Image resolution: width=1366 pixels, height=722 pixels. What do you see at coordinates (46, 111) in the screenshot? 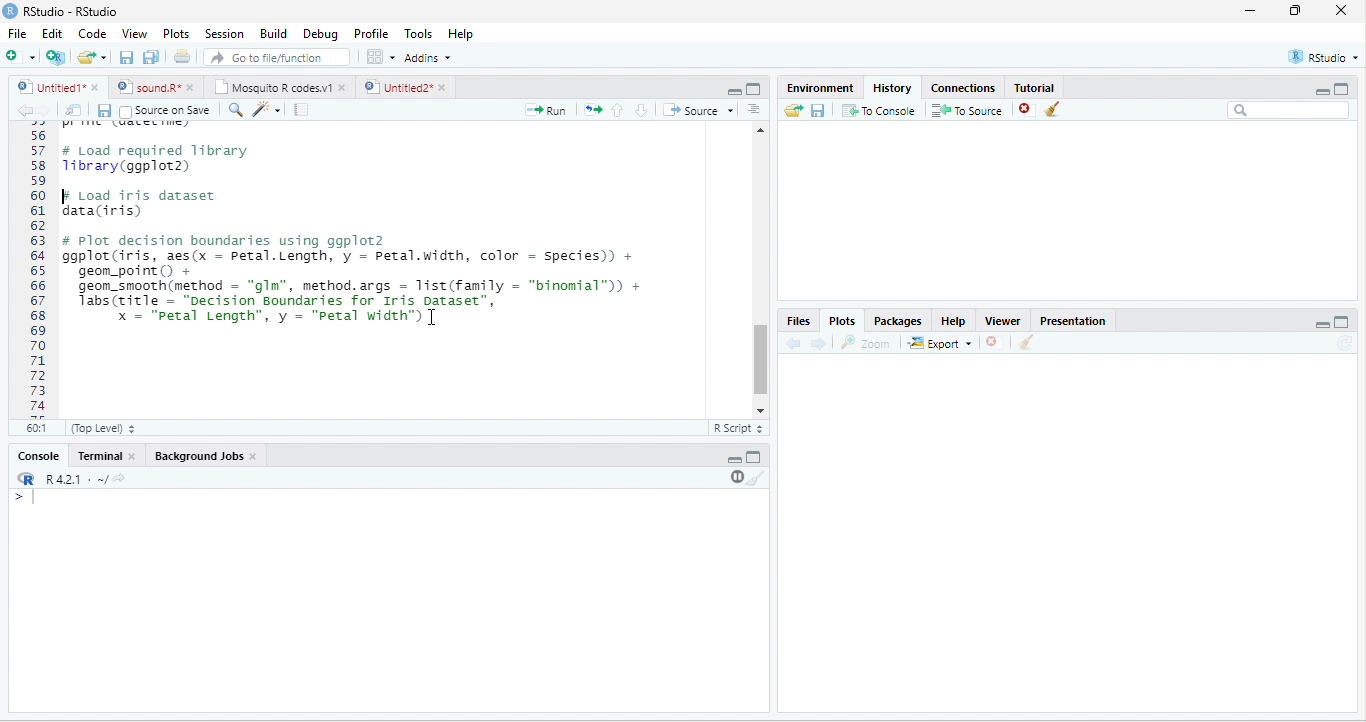
I see `forward` at bounding box center [46, 111].